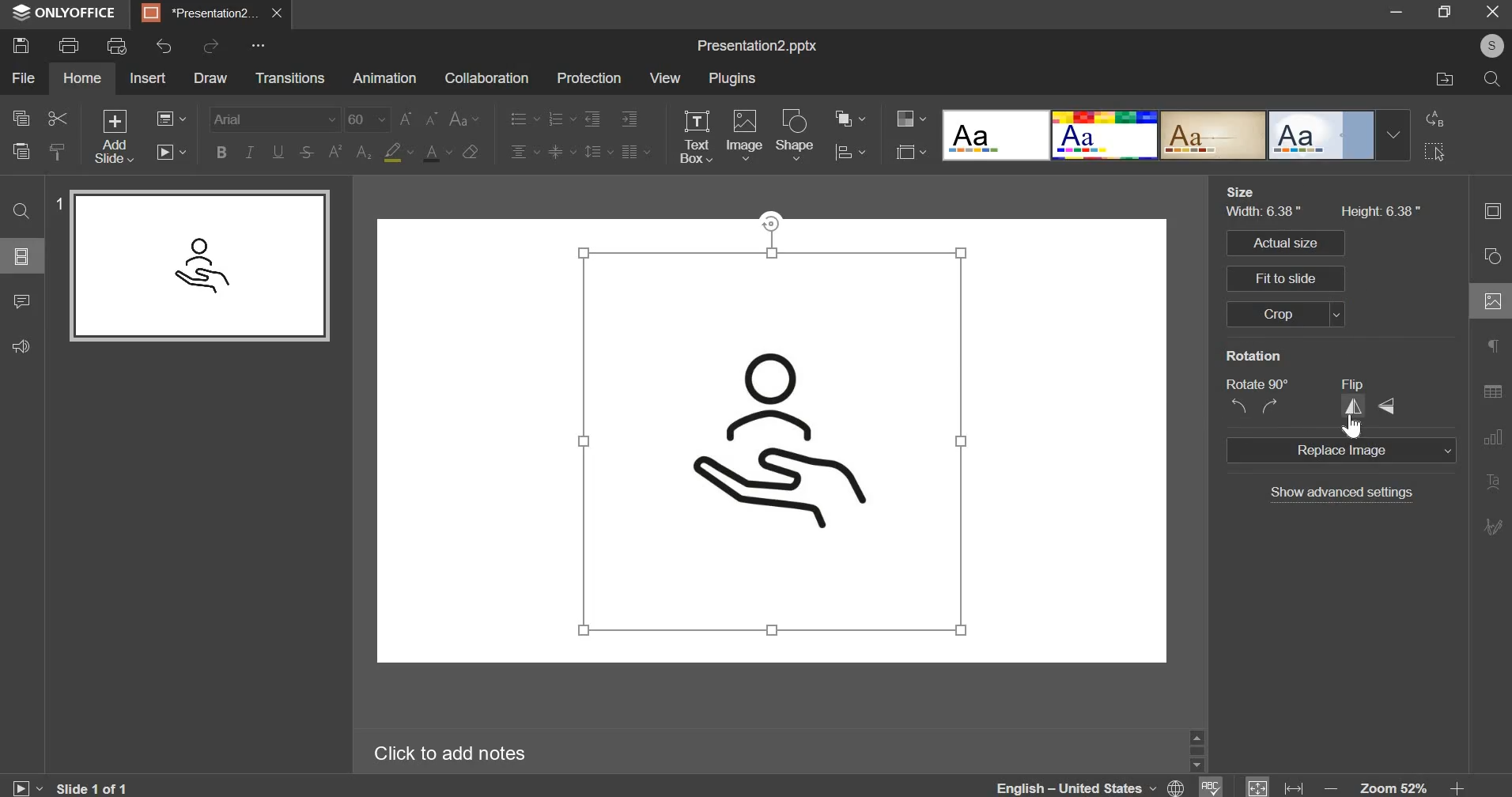 The width and height of the screenshot is (1512, 797). I want to click on signature, so click(1491, 528).